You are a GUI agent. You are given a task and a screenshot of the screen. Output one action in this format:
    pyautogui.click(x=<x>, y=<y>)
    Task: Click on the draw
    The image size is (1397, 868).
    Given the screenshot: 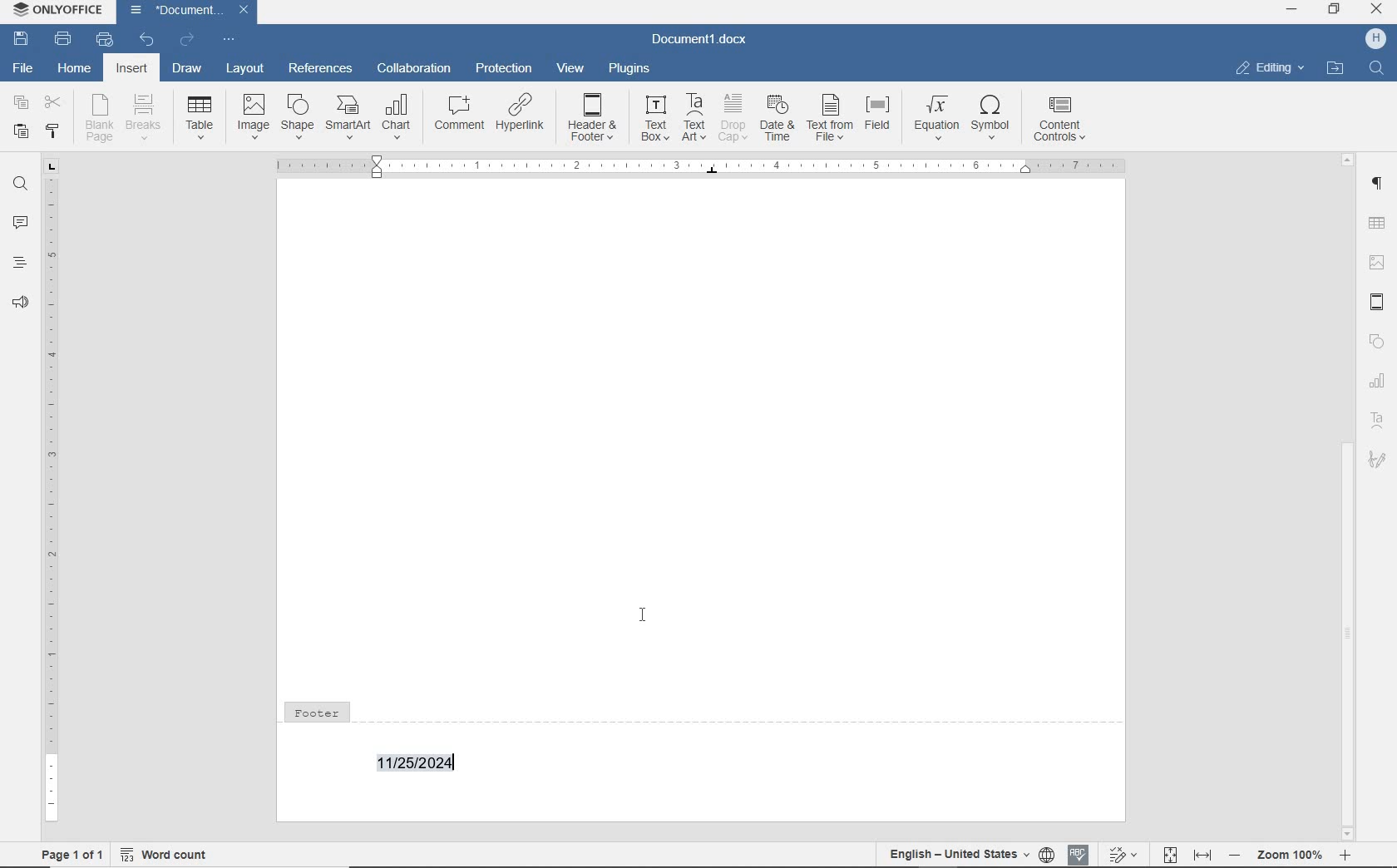 What is the action you would take?
    pyautogui.click(x=186, y=70)
    